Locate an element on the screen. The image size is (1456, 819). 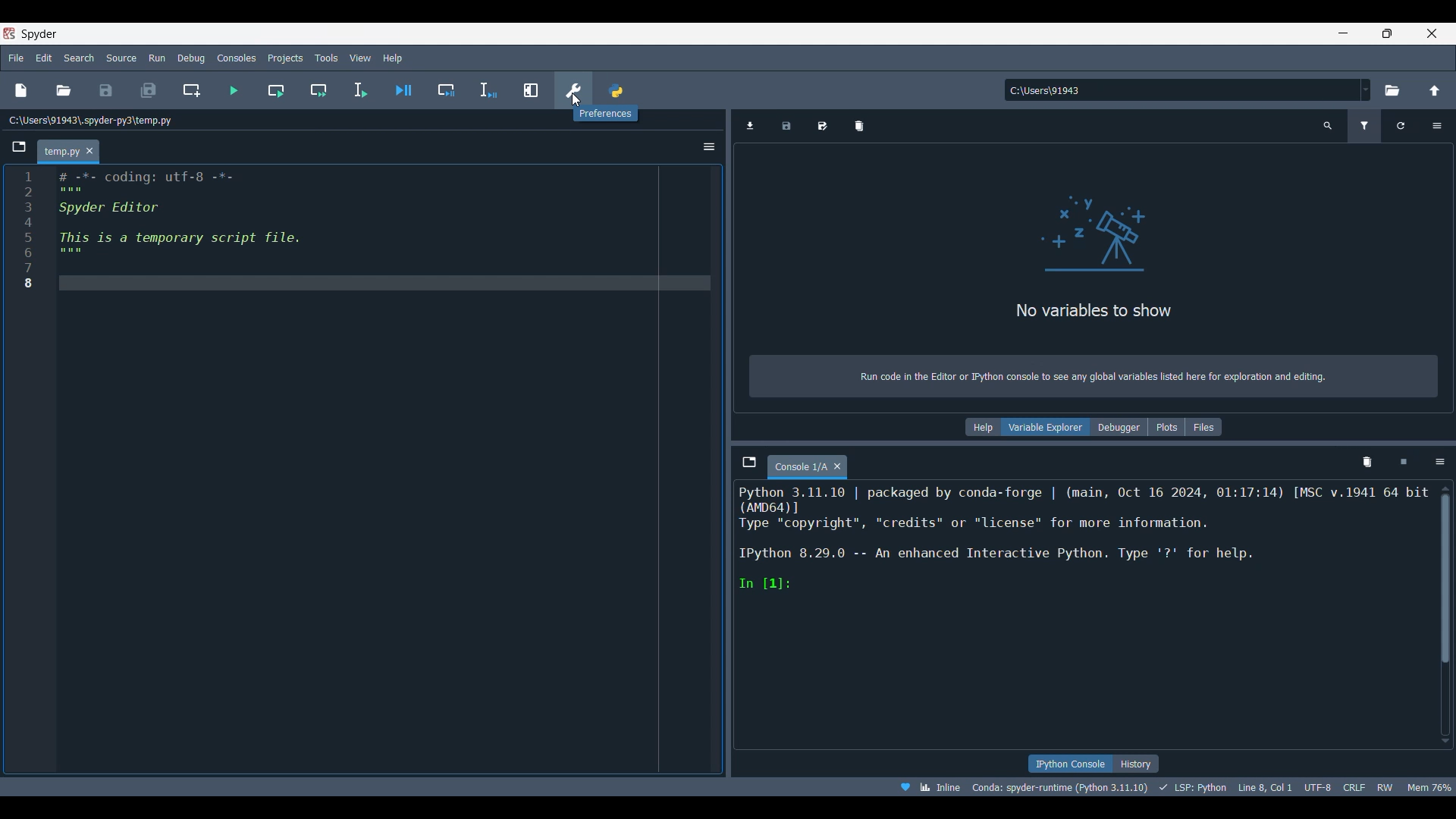
New file is located at coordinates (21, 90).